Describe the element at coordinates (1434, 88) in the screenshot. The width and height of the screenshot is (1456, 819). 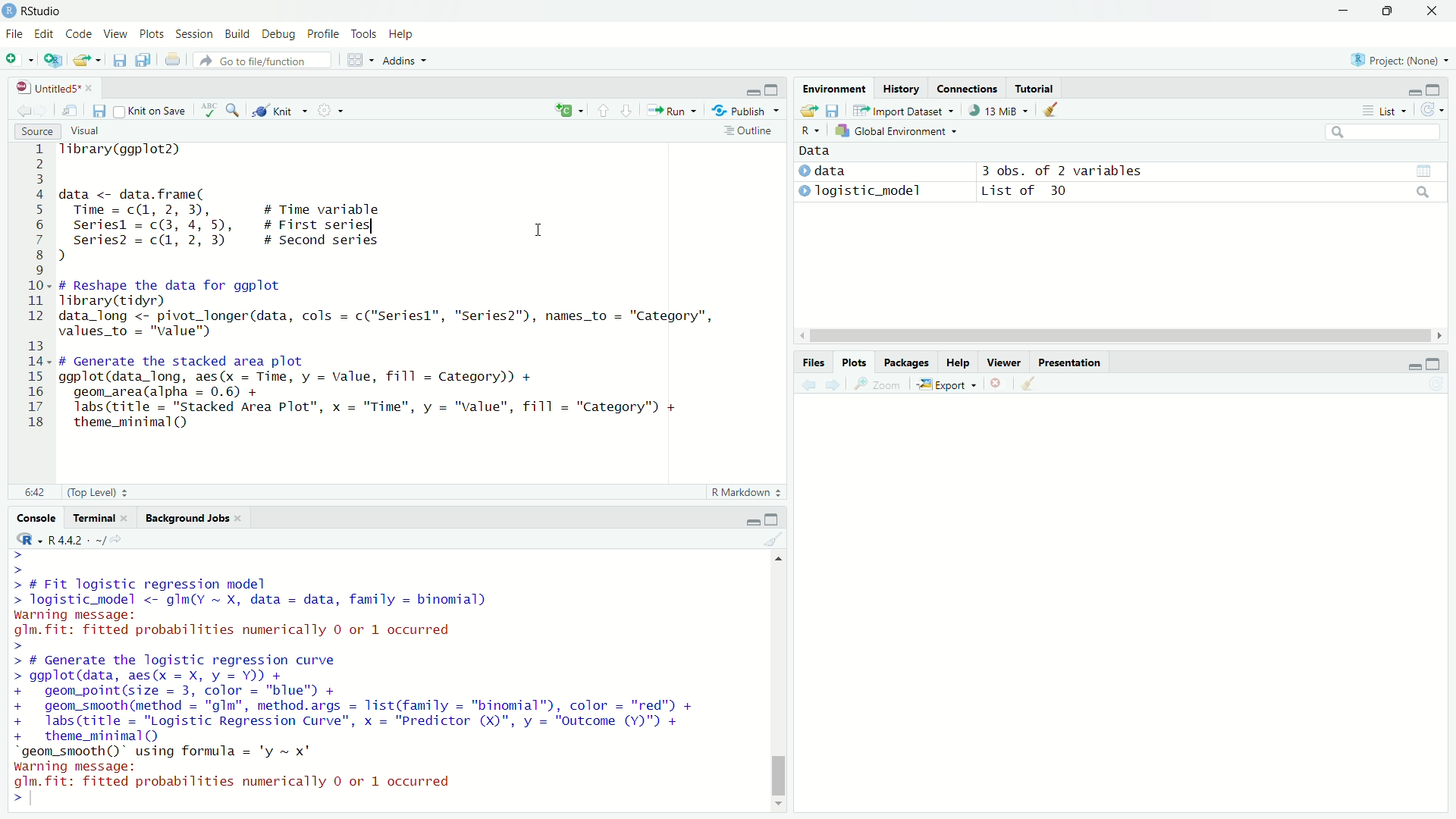
I see `maximise` at that location.